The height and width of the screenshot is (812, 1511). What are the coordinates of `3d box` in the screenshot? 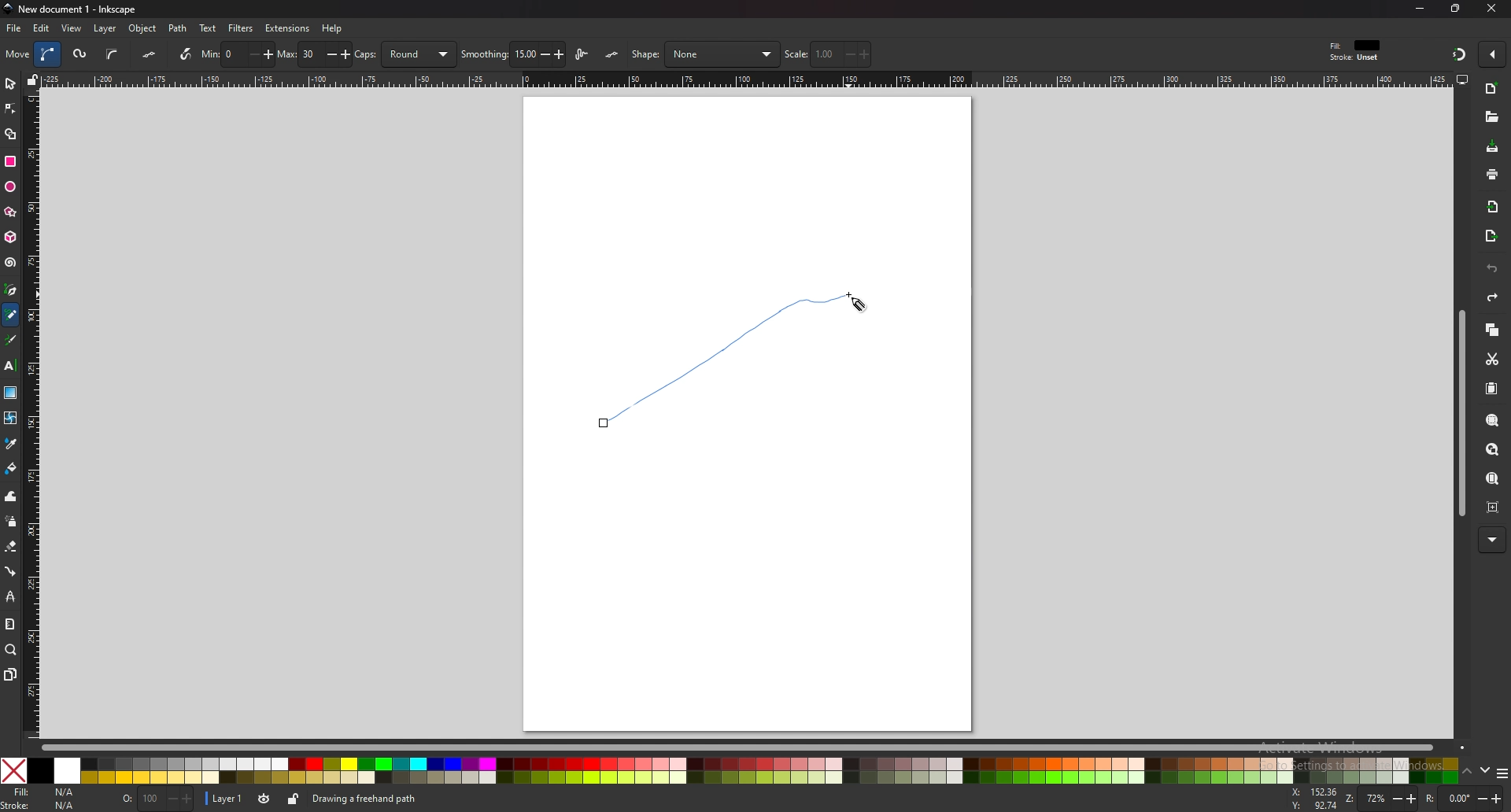 It's located at (10, 238).